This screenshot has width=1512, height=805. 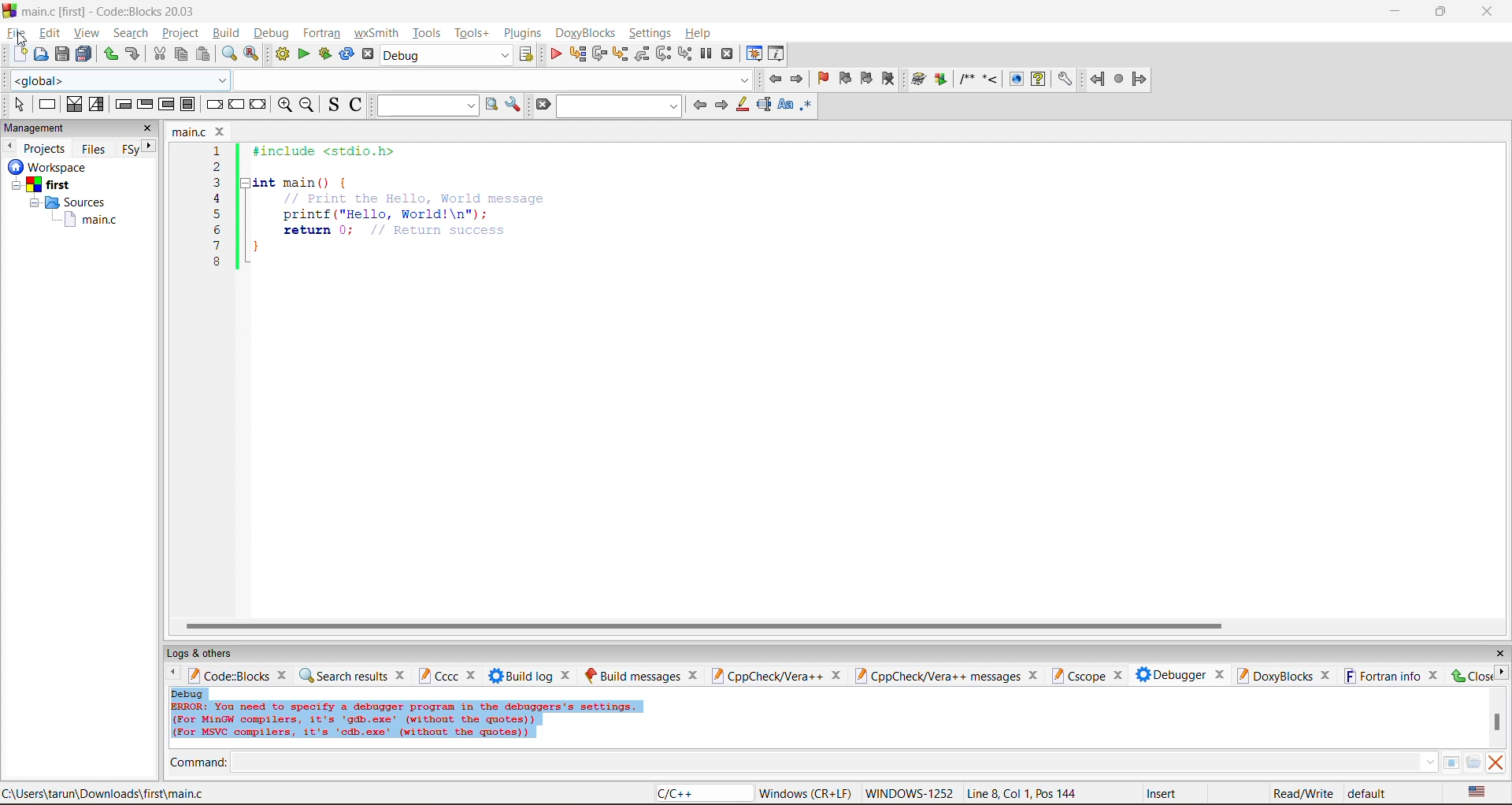 What do you see at coordinates (225, 32) in the screenshot?
I see `build` at bounding box center [225, 32].